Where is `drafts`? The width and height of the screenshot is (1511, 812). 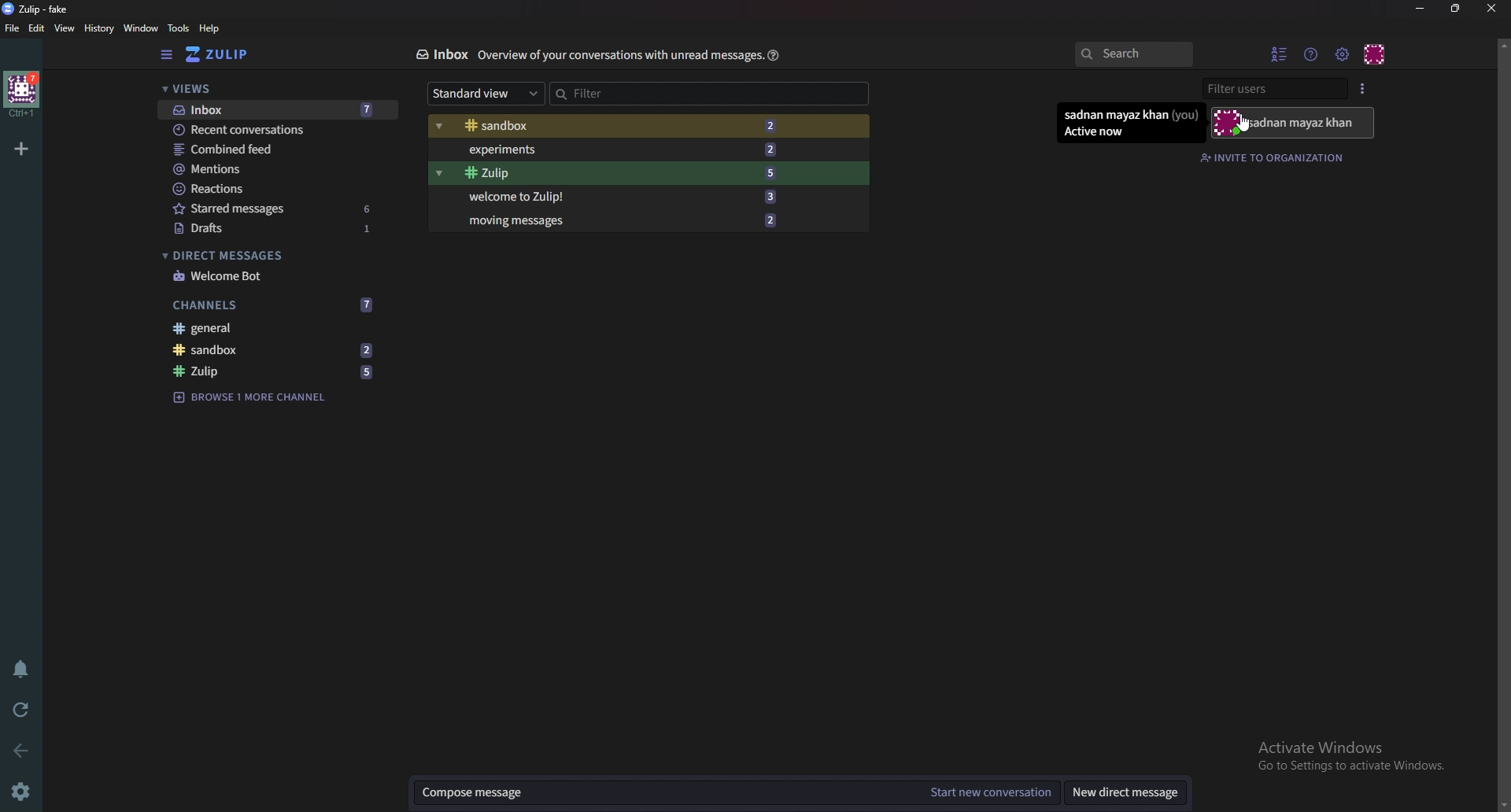 drafts is located at coordinates (275, 229).